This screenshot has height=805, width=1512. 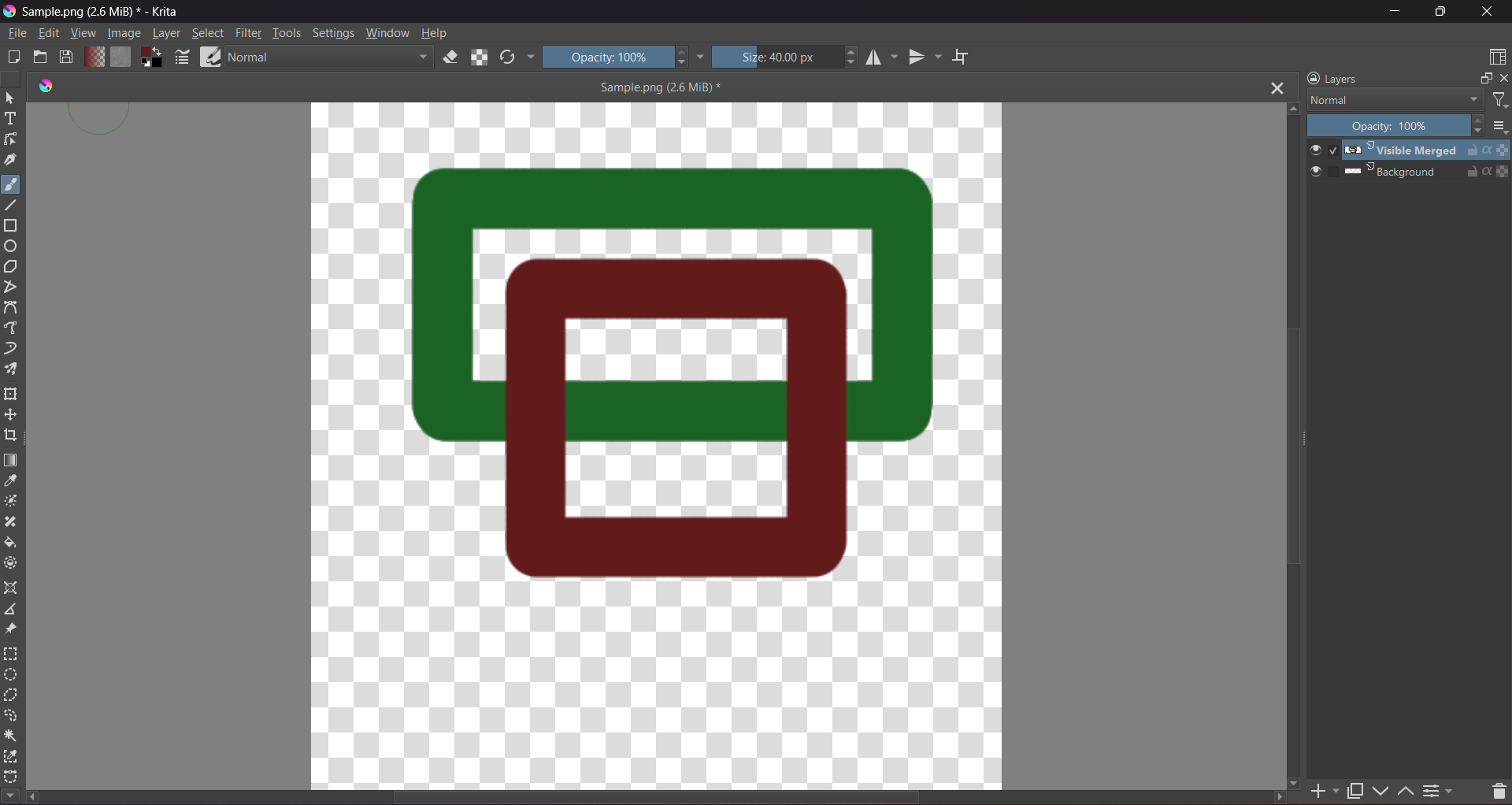 What do you see at coordinates (12, 588) in the screenshot?
I see `Assistant` at bounding box center [12, 588].